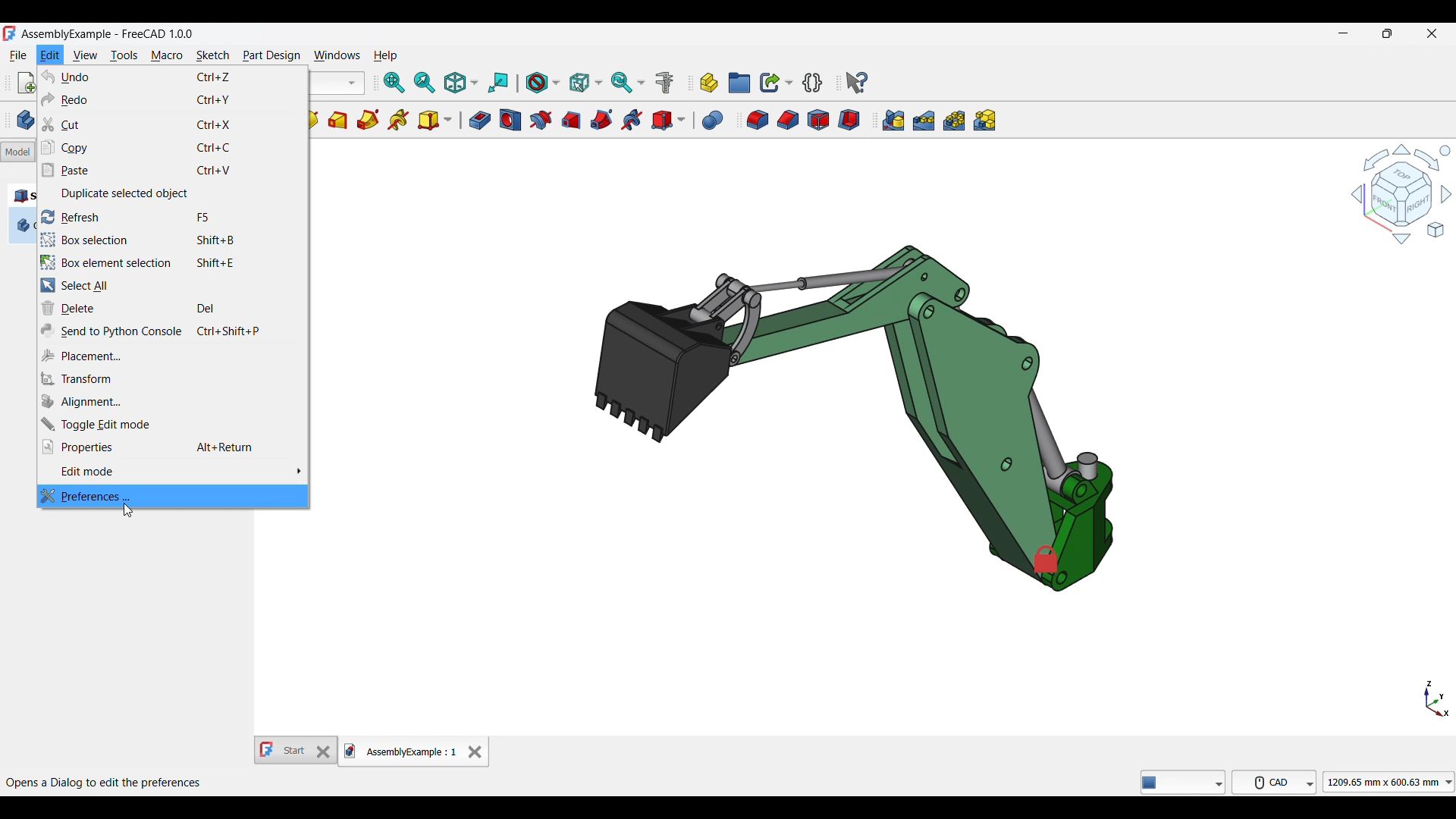 The height and width of the screenshot is (819, 1456). Describe the element at coordinates (664, 83) in the screenshot. I see `Measure` at that location.